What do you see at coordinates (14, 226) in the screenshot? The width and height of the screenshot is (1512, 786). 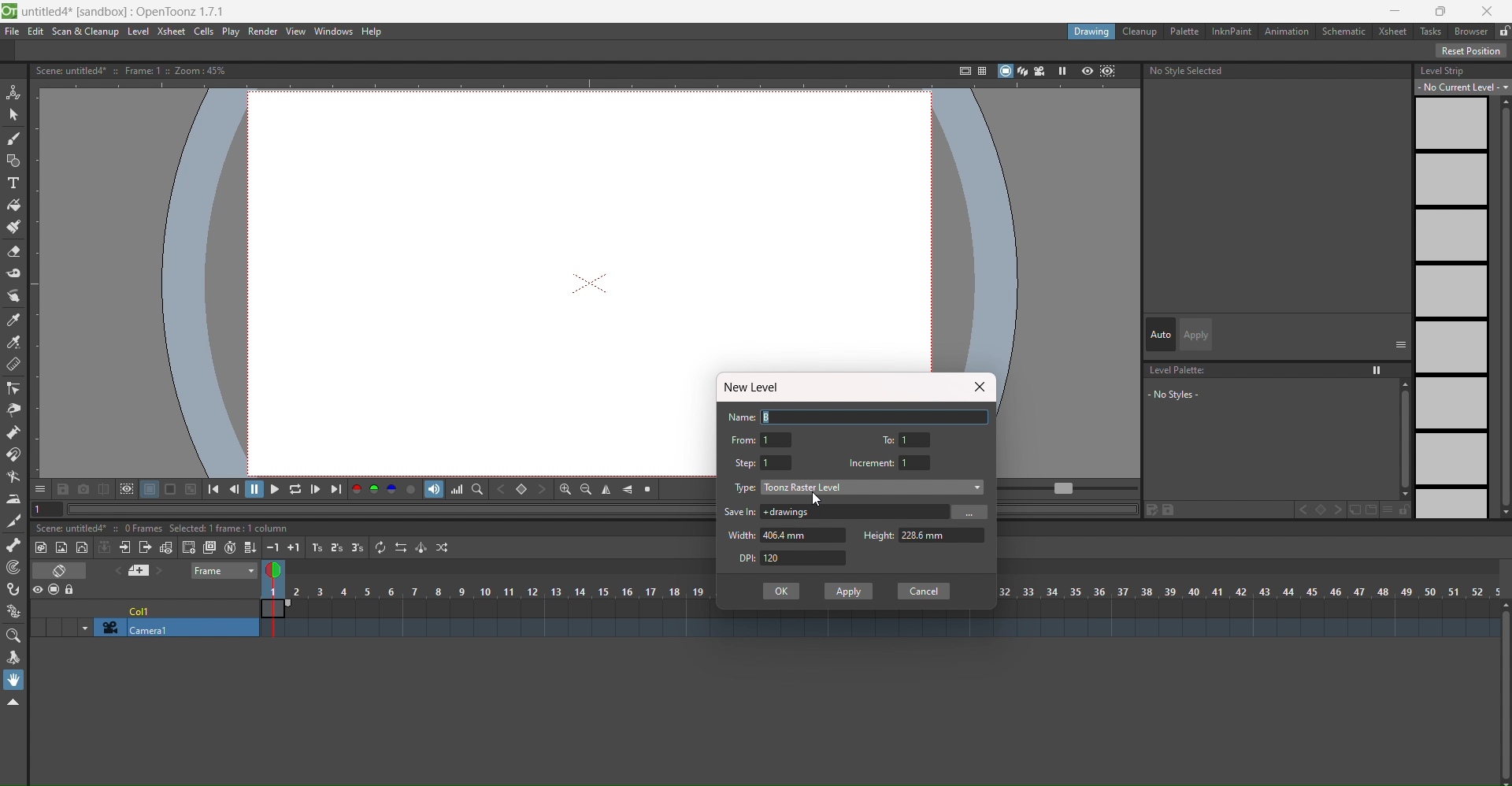 I see `paint brush tool` at bounding box center [14, 226].